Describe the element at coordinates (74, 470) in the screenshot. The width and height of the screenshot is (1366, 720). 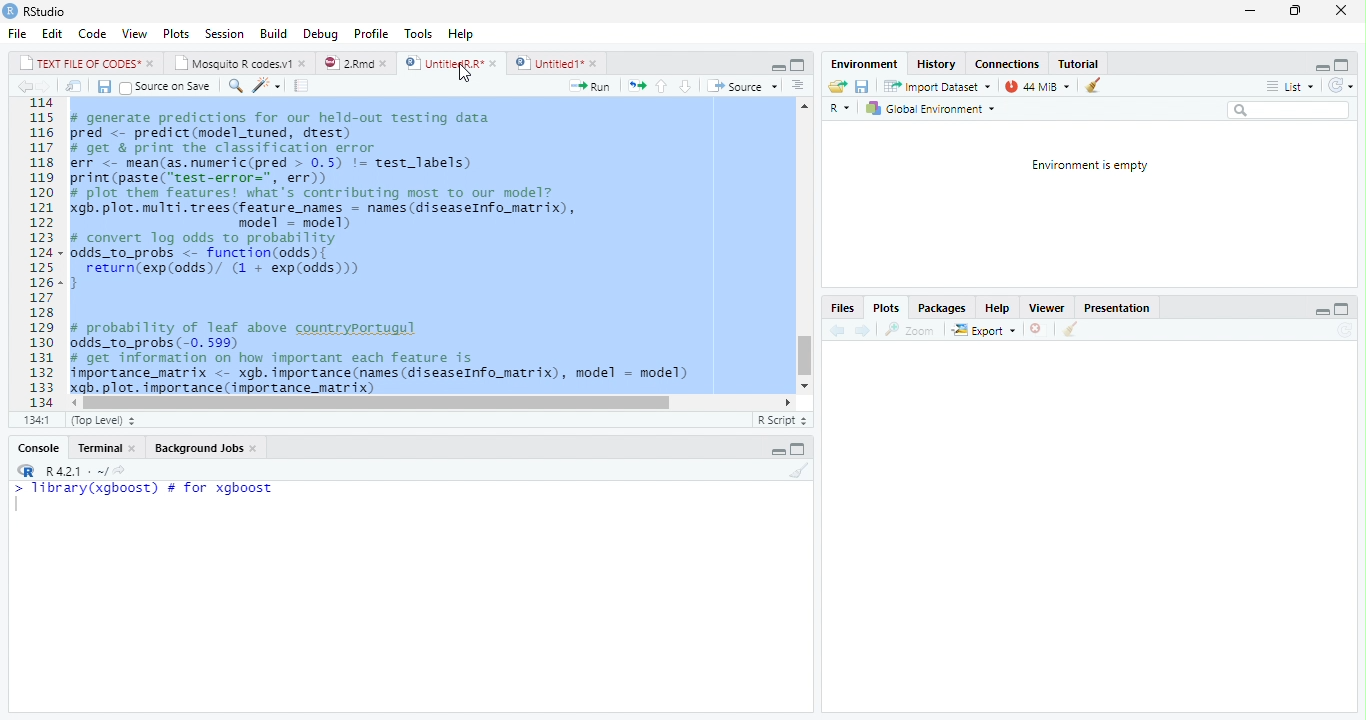
I see `R 4.2.1 .~/` at that location.